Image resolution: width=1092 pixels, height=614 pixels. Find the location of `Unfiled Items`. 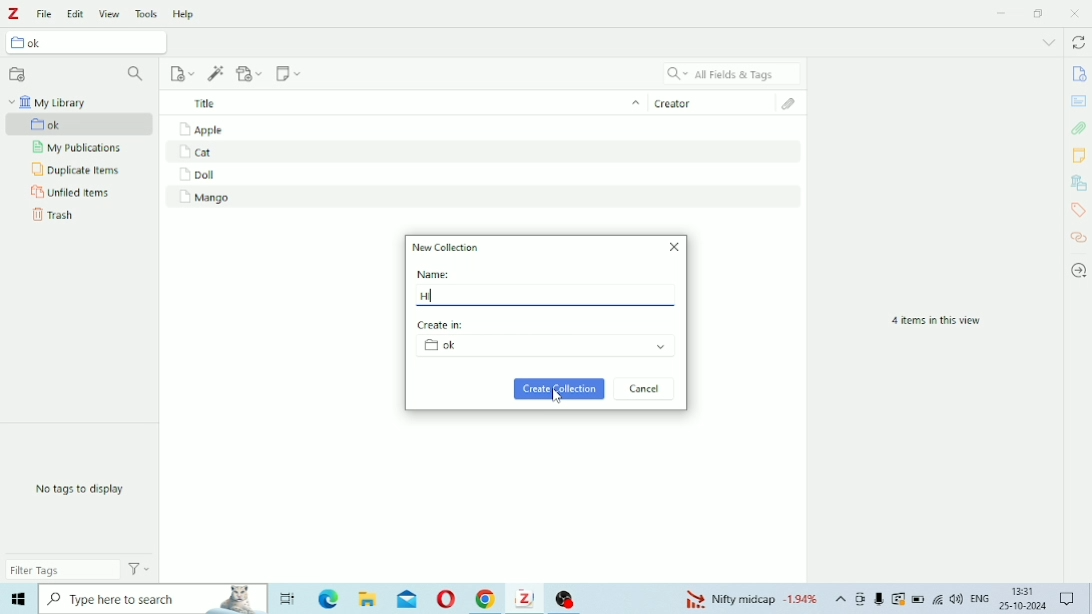

Unfiled Items is located at coordinates (72, 193).